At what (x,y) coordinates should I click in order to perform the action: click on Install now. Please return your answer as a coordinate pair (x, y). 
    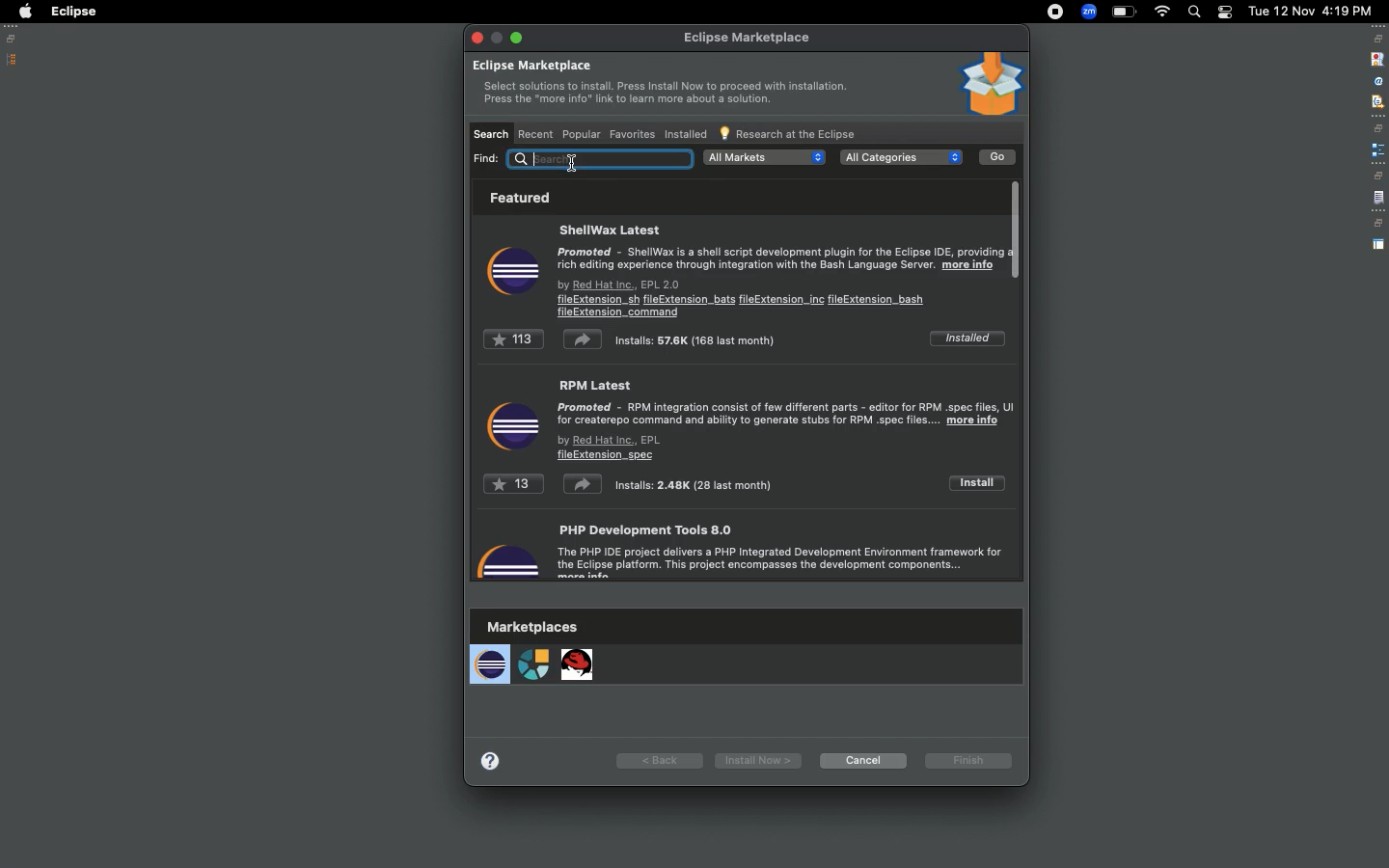
    Looking at the image, I should click on (754, 760).